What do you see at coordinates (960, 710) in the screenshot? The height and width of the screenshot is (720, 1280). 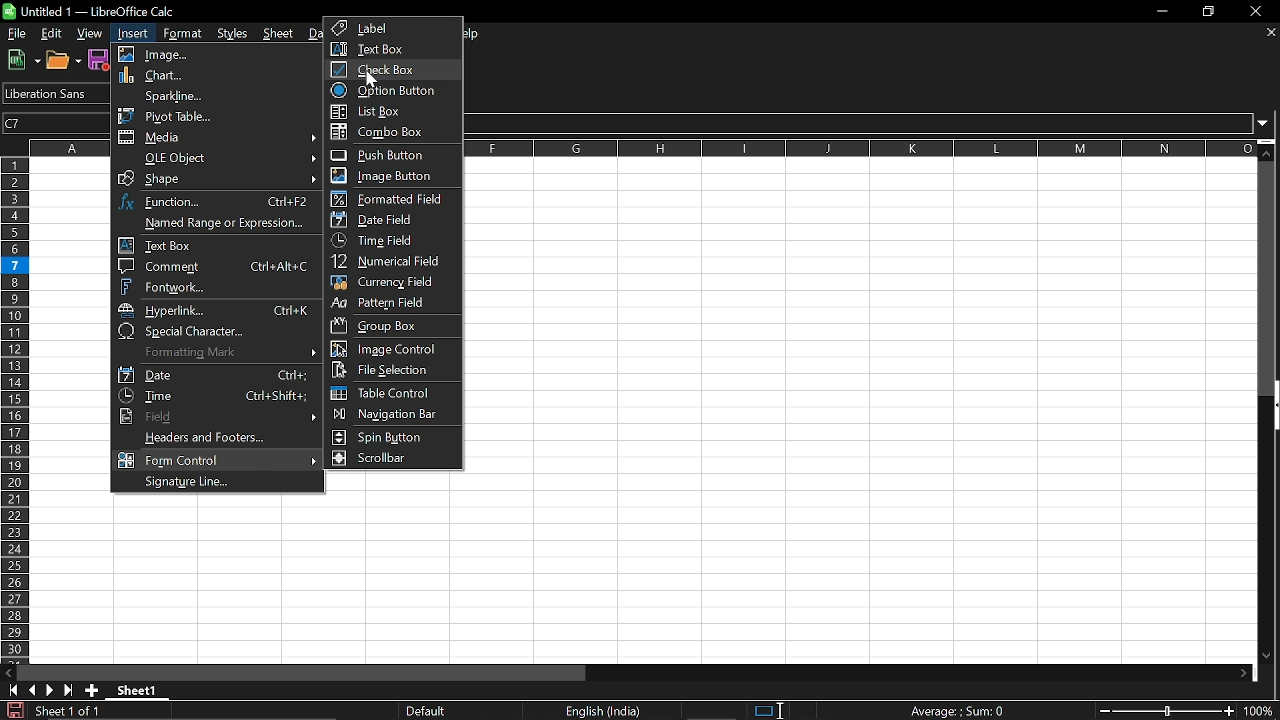 I see `Formula standard selection` at bounding box center [960, 710].